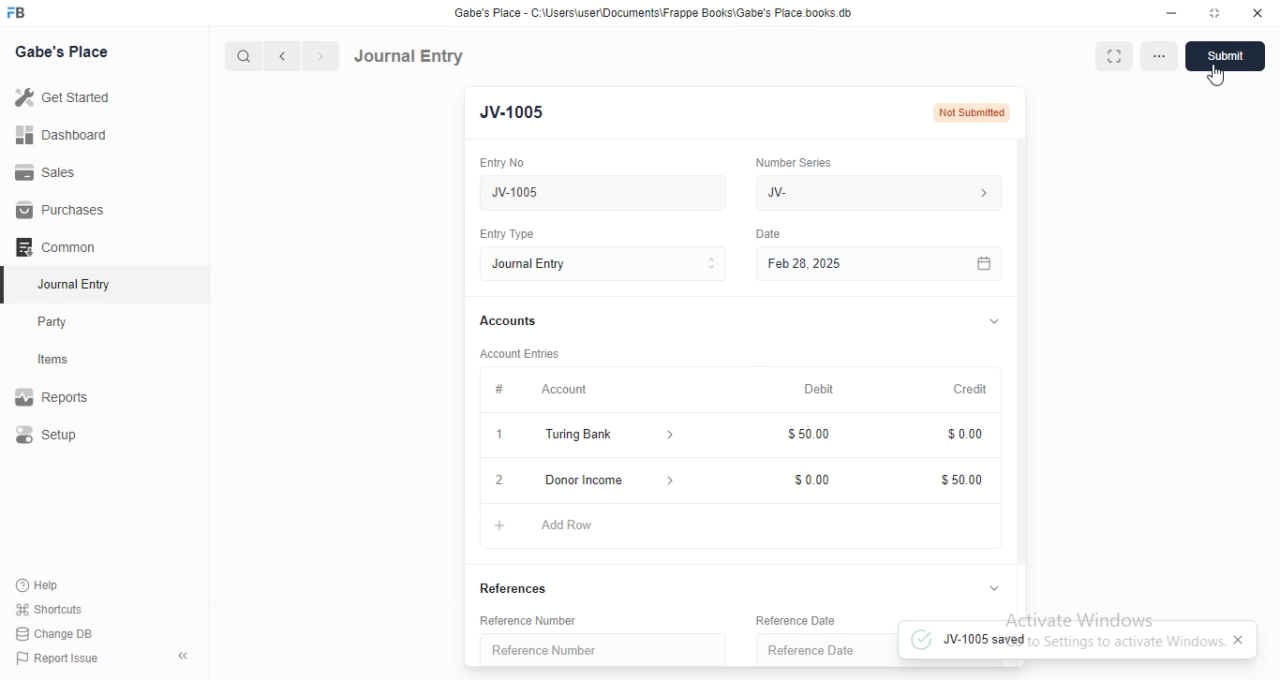 This screenshot has width=1280, height=680. Describe the element at coordinates (410, 55) in the screenshot. I see `Journal Entry` at that location.